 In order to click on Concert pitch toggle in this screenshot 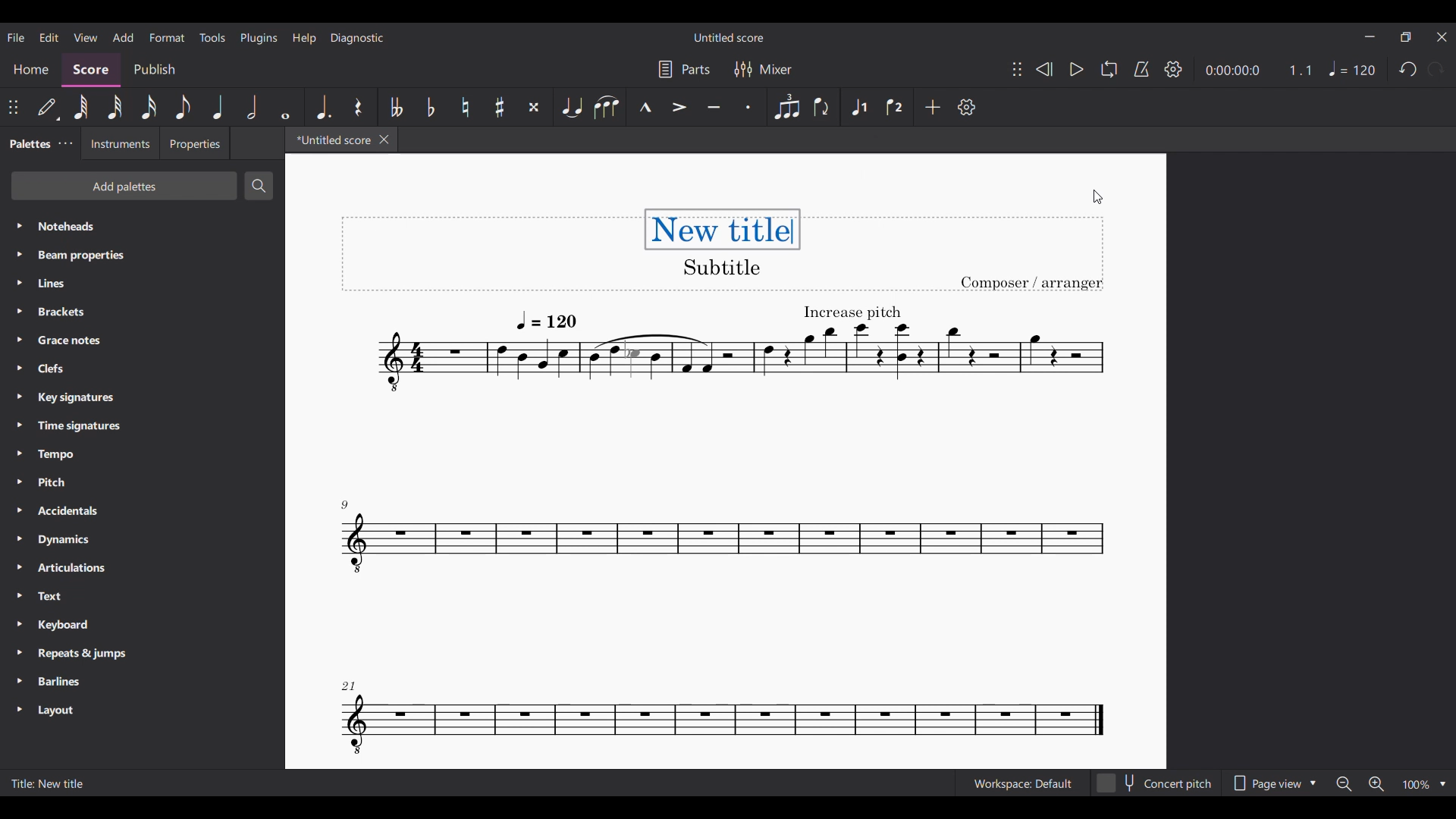, I will do `click(1155, 783)`.